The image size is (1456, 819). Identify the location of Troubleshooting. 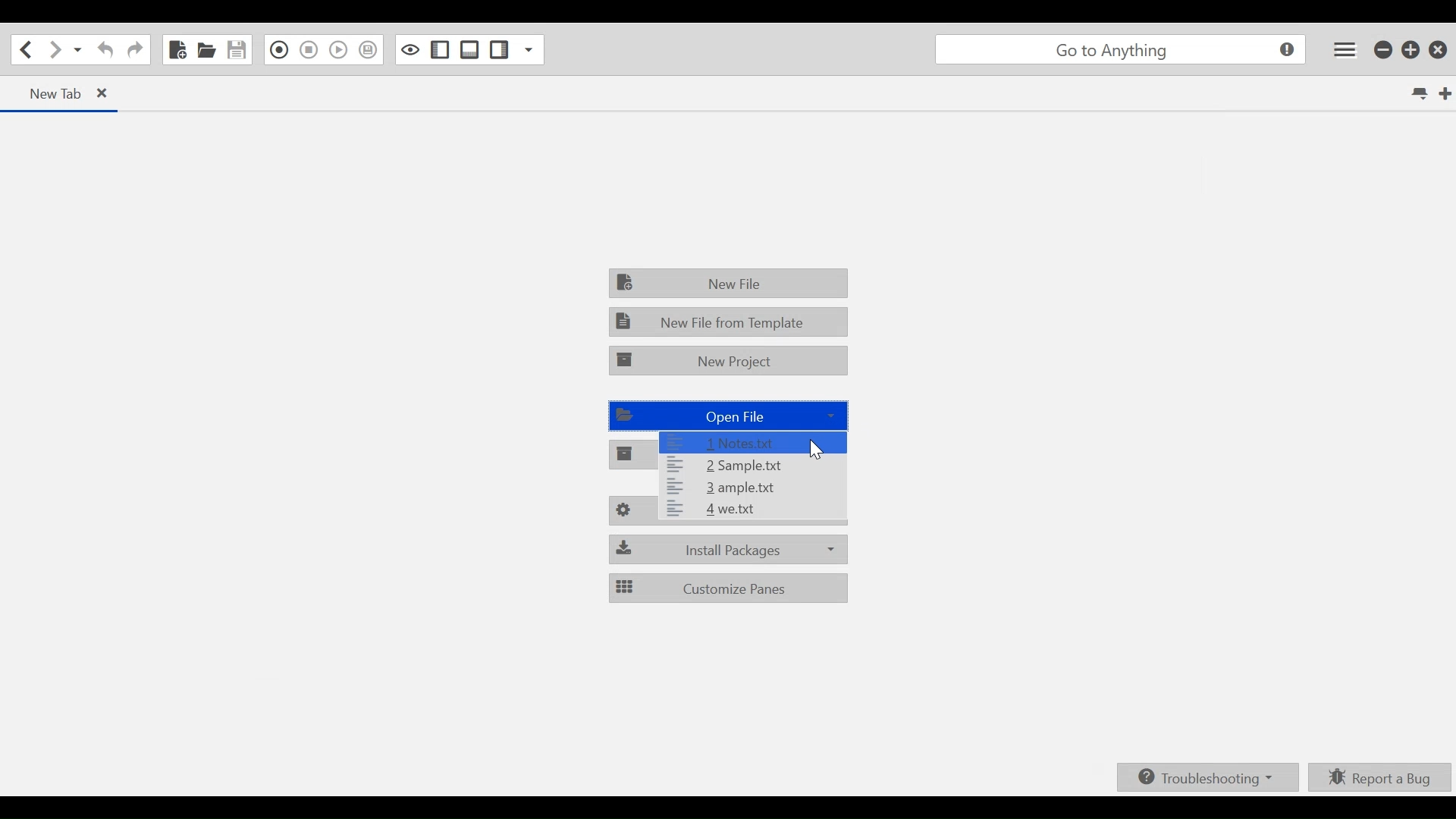
(1210, 777).